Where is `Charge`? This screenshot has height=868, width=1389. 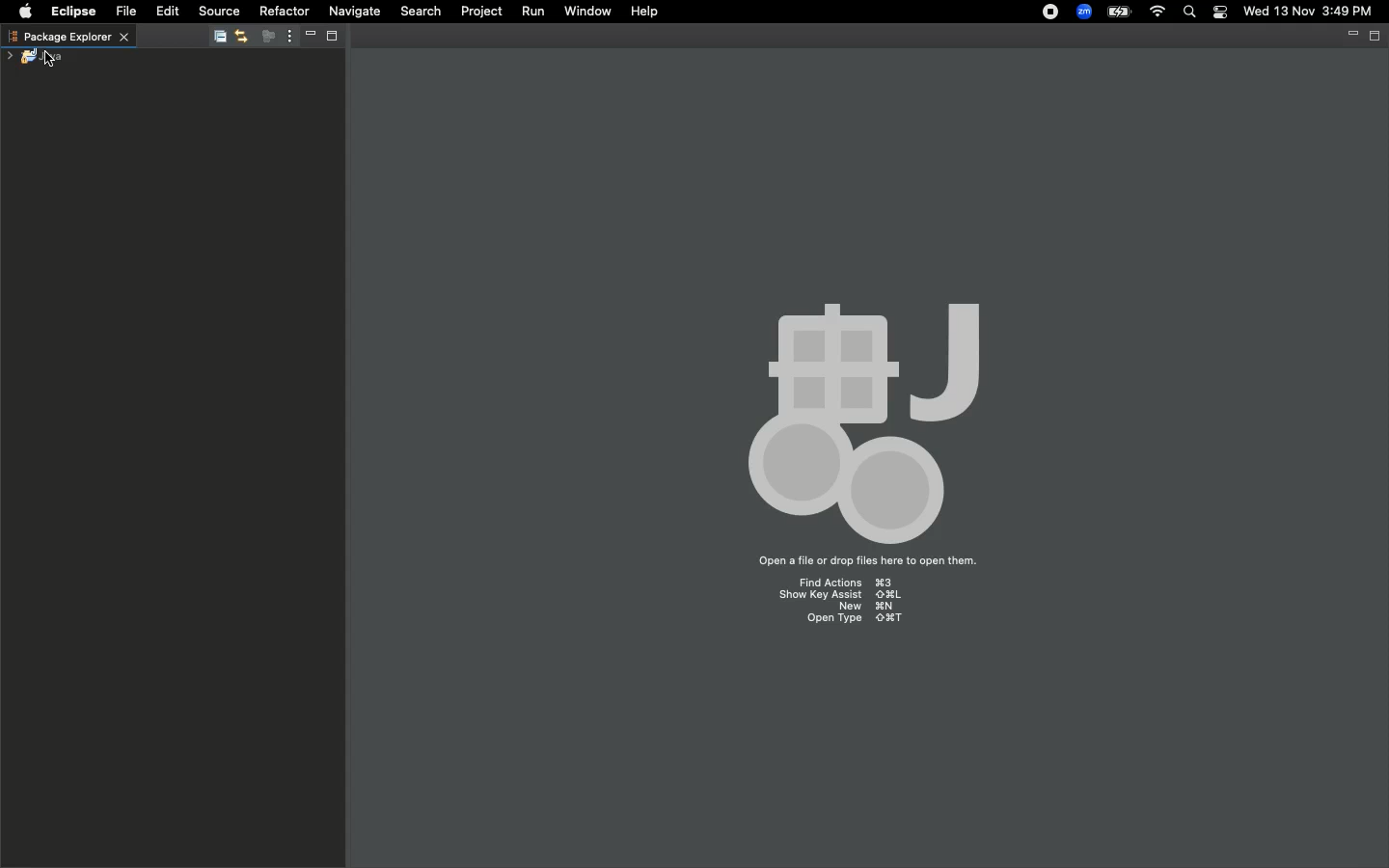 Charge is located at coordinates (1119, 12).